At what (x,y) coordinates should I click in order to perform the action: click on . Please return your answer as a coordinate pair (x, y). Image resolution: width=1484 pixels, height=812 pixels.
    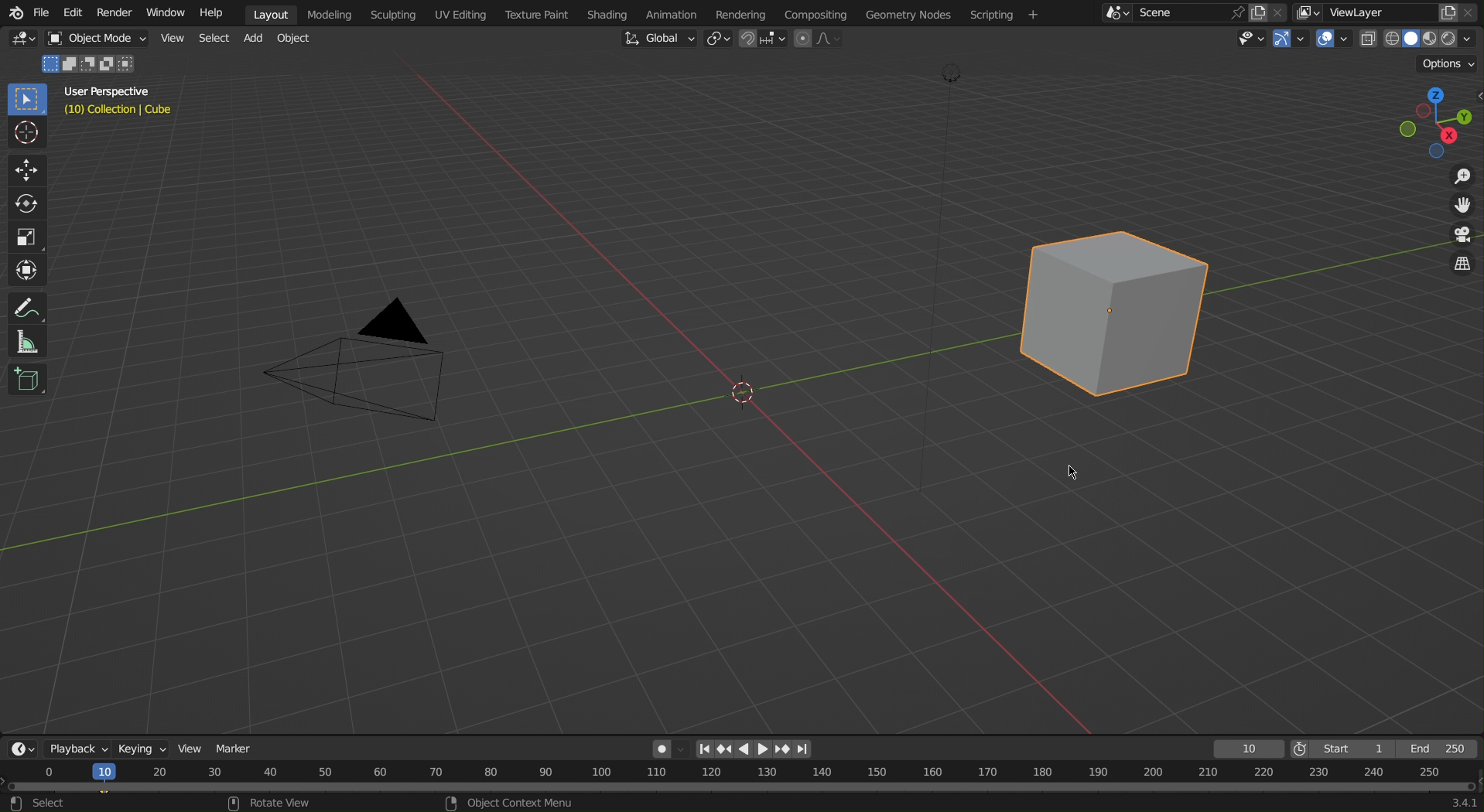
    Looking at the image, I should click on (1007, 15).